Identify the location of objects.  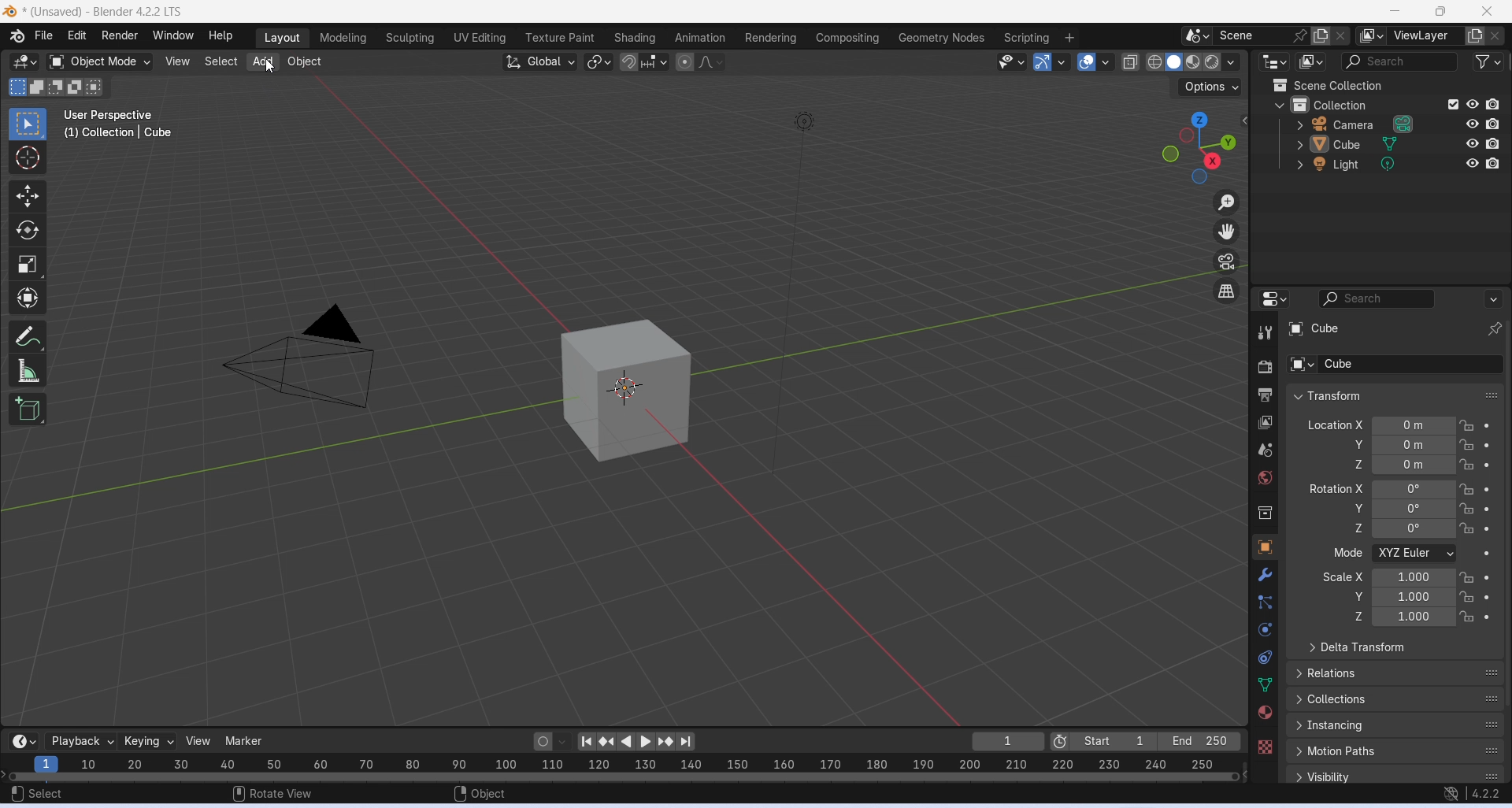
(1265, 547).